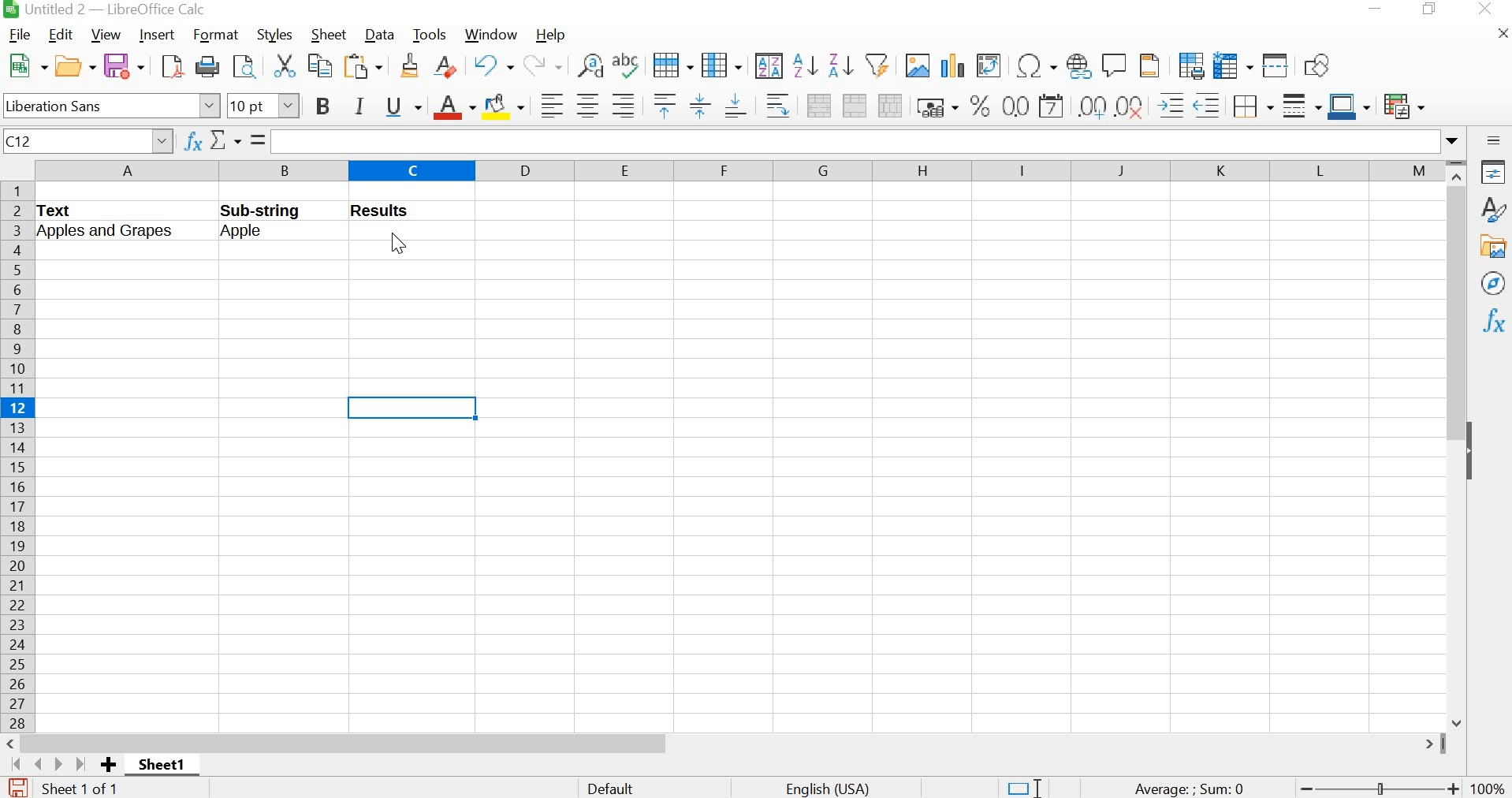 The width and height of the screenshot is (1512, 798). I want to click on edit, so click(62, 35).